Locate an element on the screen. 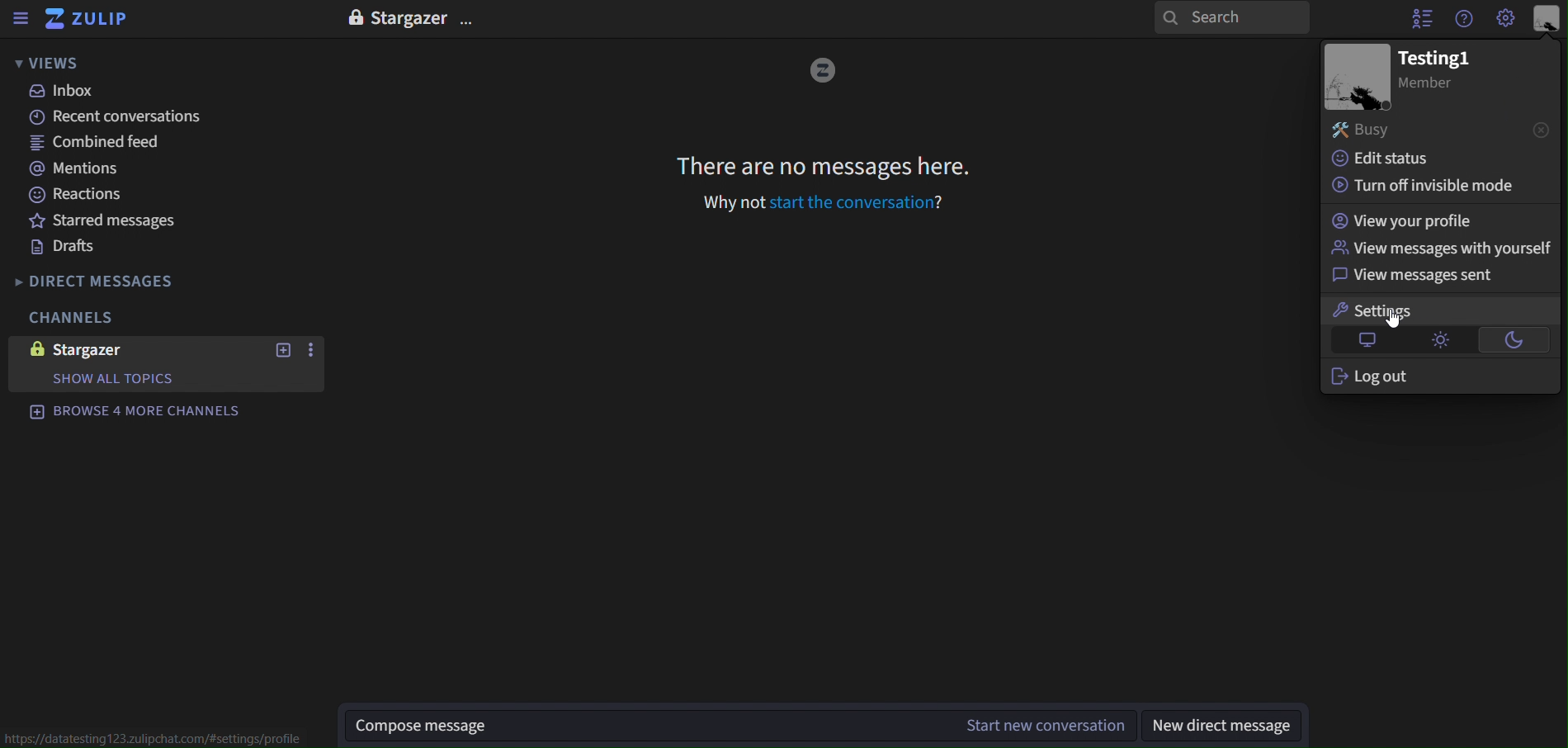  options is located at coordinates (468, 21).